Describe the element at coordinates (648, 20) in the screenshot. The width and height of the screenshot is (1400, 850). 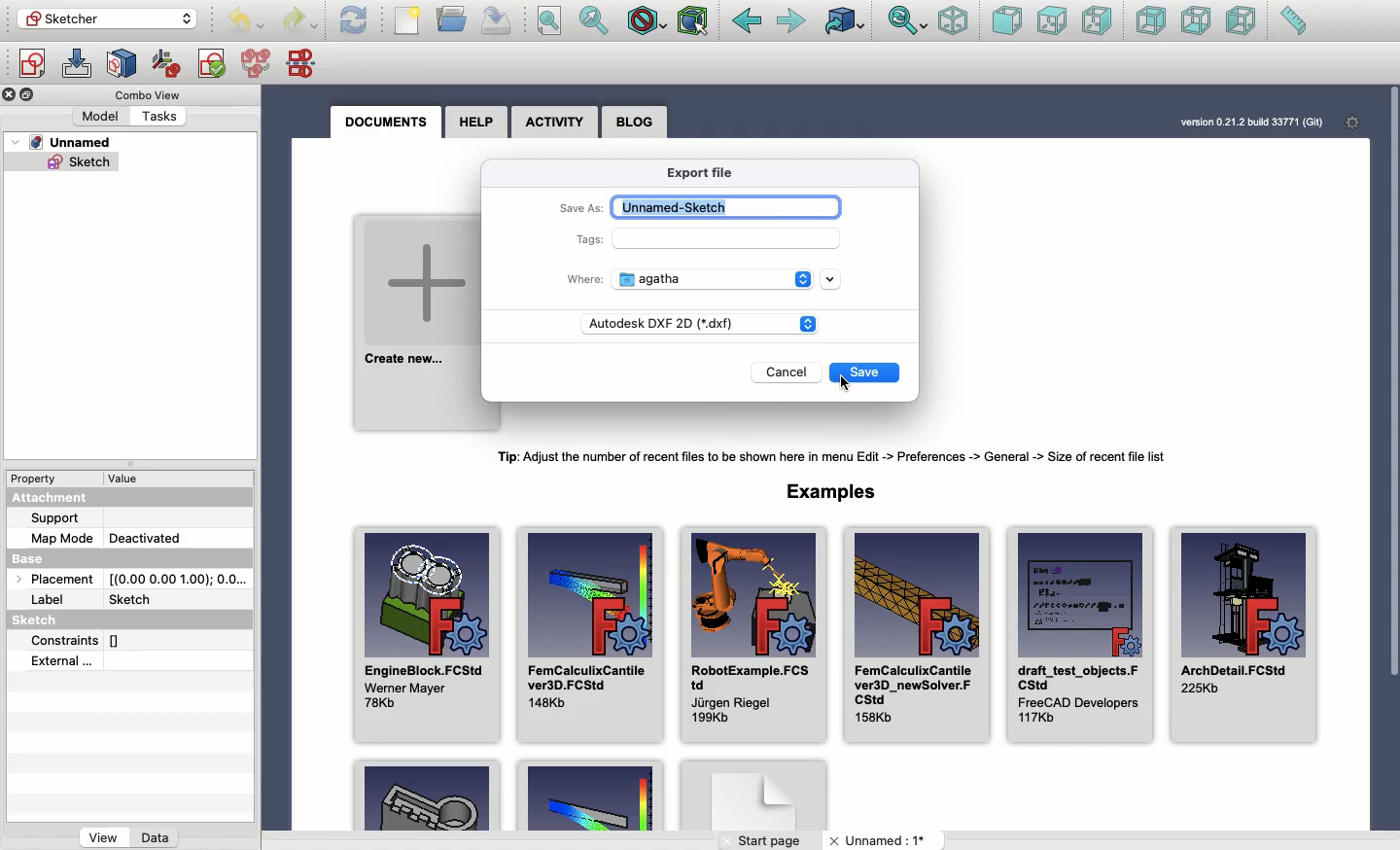
I see `Draw style` at that location.